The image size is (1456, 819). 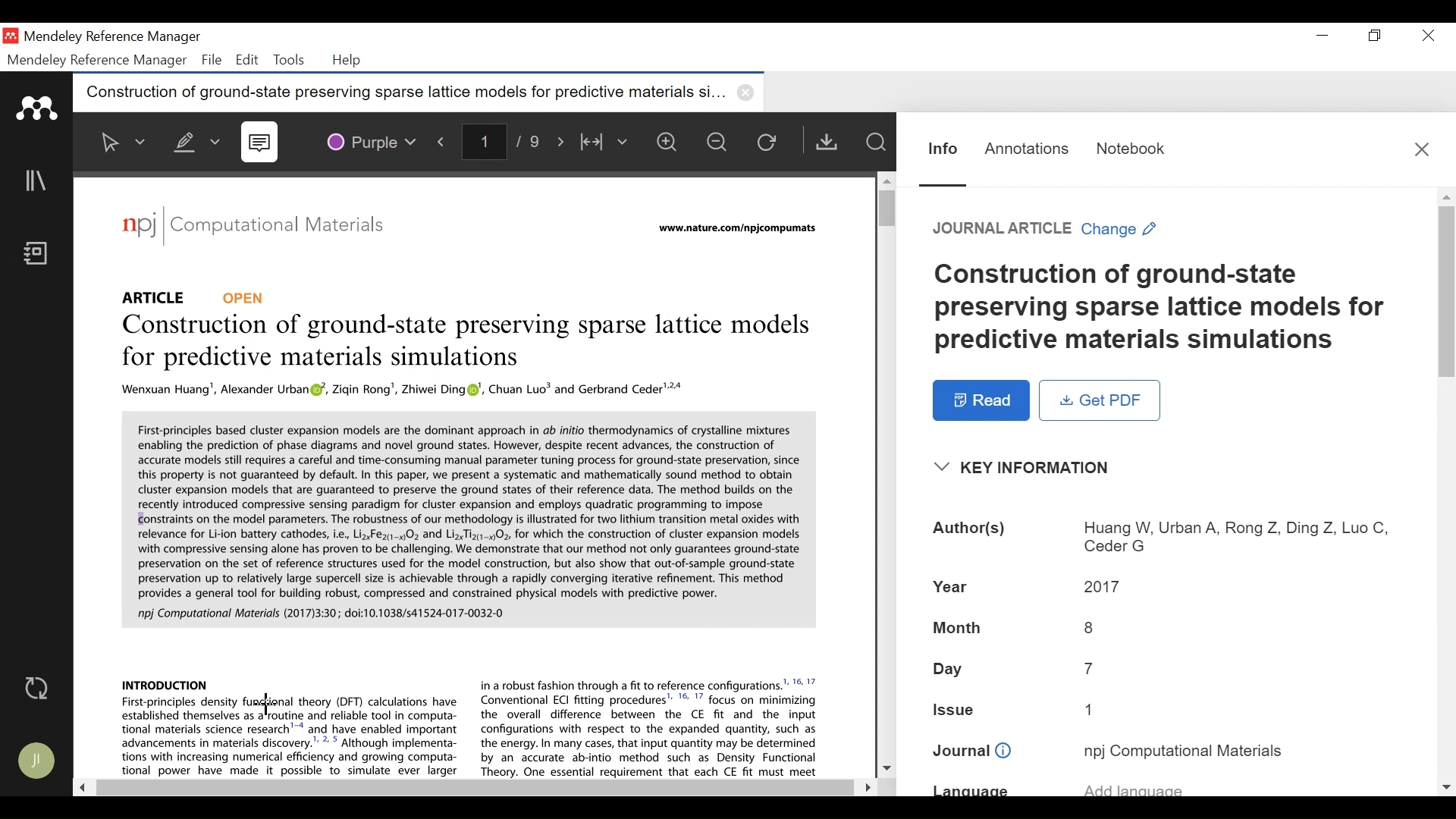 What do you see at coordinates (735, 230) in the screenshot?
I see `URL` at bounding box center [735, 230].